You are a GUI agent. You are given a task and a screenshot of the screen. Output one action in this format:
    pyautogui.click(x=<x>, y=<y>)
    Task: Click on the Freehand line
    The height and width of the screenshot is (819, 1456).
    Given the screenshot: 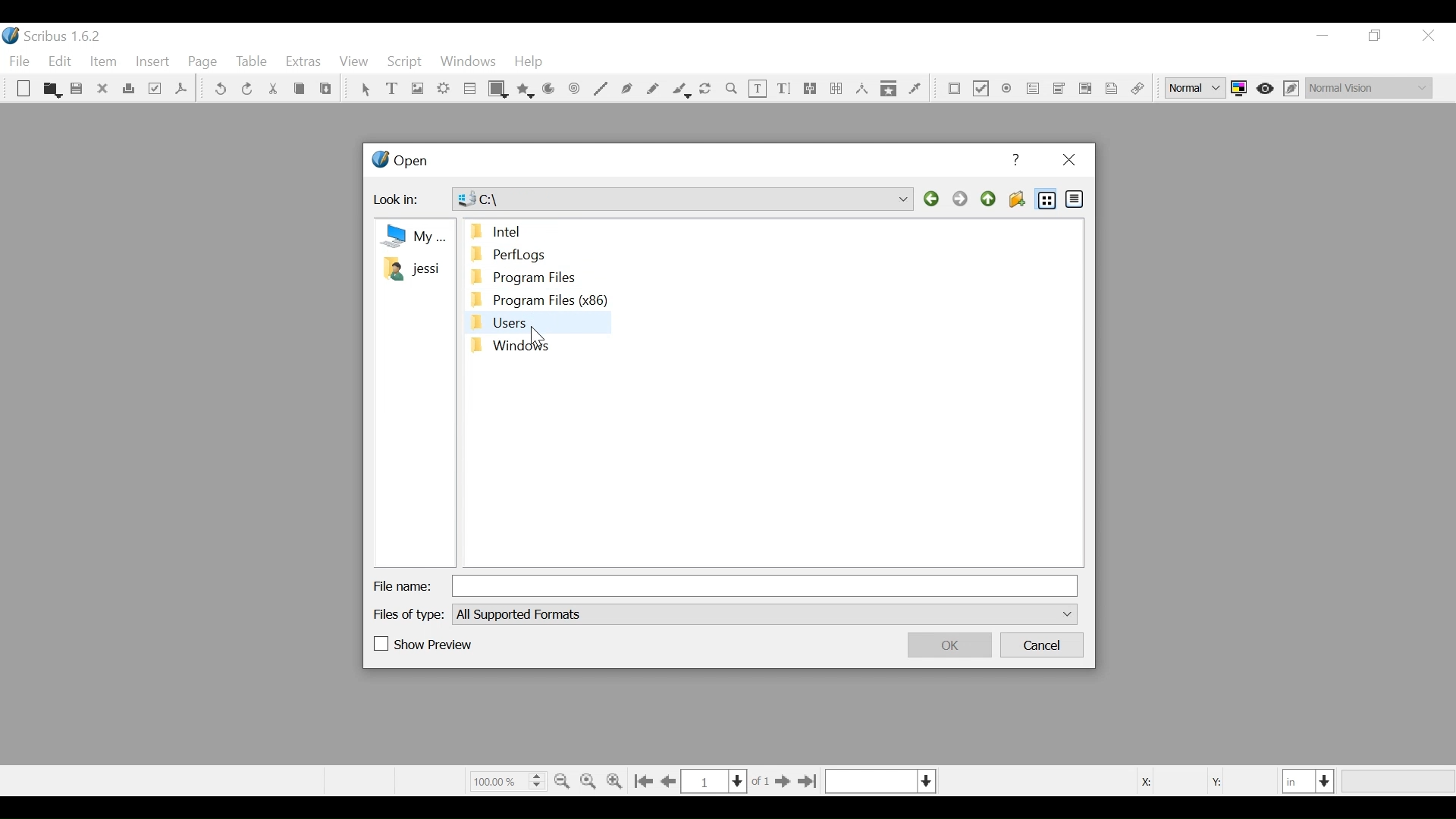 What is the action you would take?
    pyautogui.click(x=654, y=89)
    